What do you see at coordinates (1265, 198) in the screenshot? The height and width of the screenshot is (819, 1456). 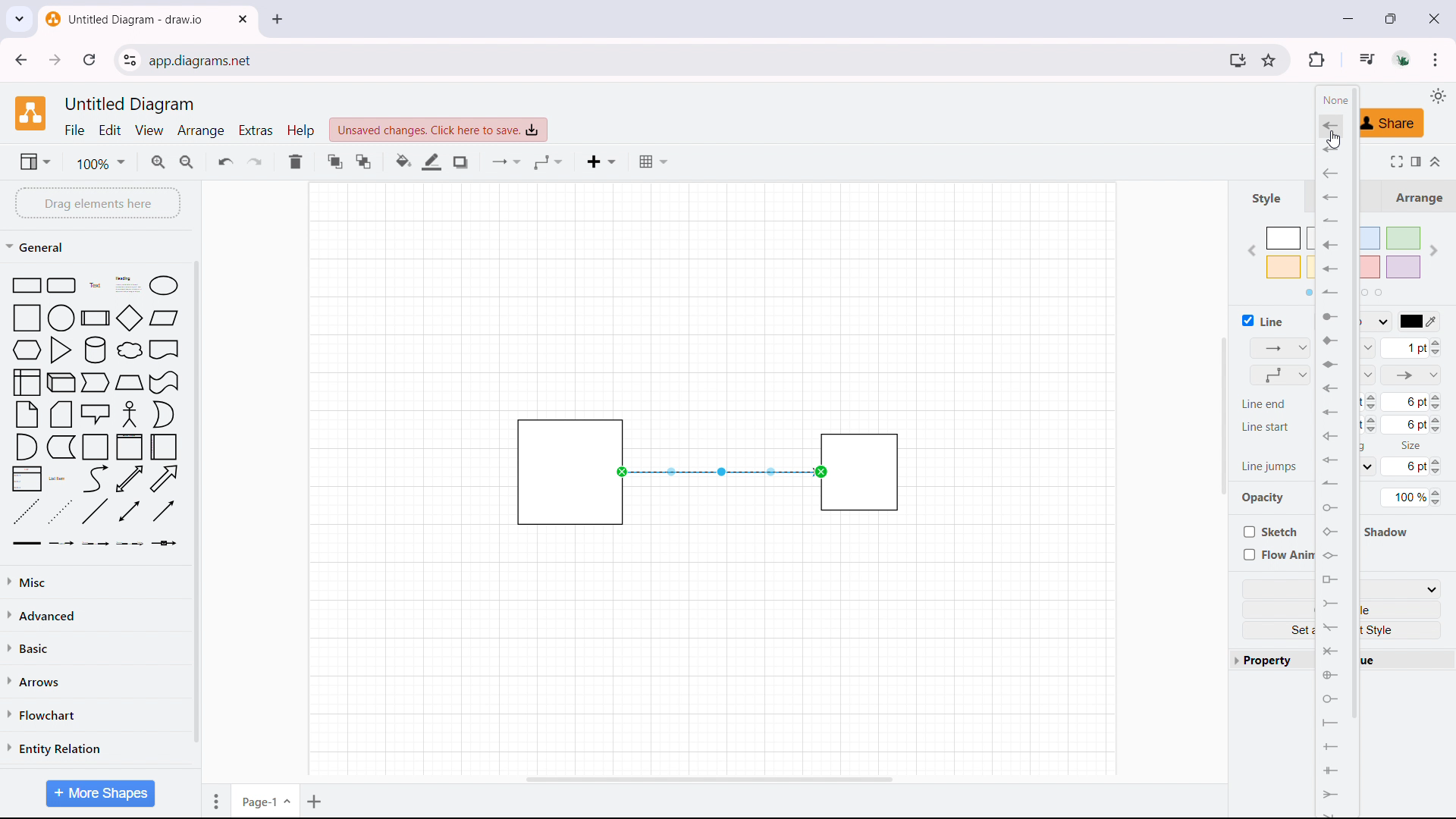 I see `style` at bounding box center [1265, 198].